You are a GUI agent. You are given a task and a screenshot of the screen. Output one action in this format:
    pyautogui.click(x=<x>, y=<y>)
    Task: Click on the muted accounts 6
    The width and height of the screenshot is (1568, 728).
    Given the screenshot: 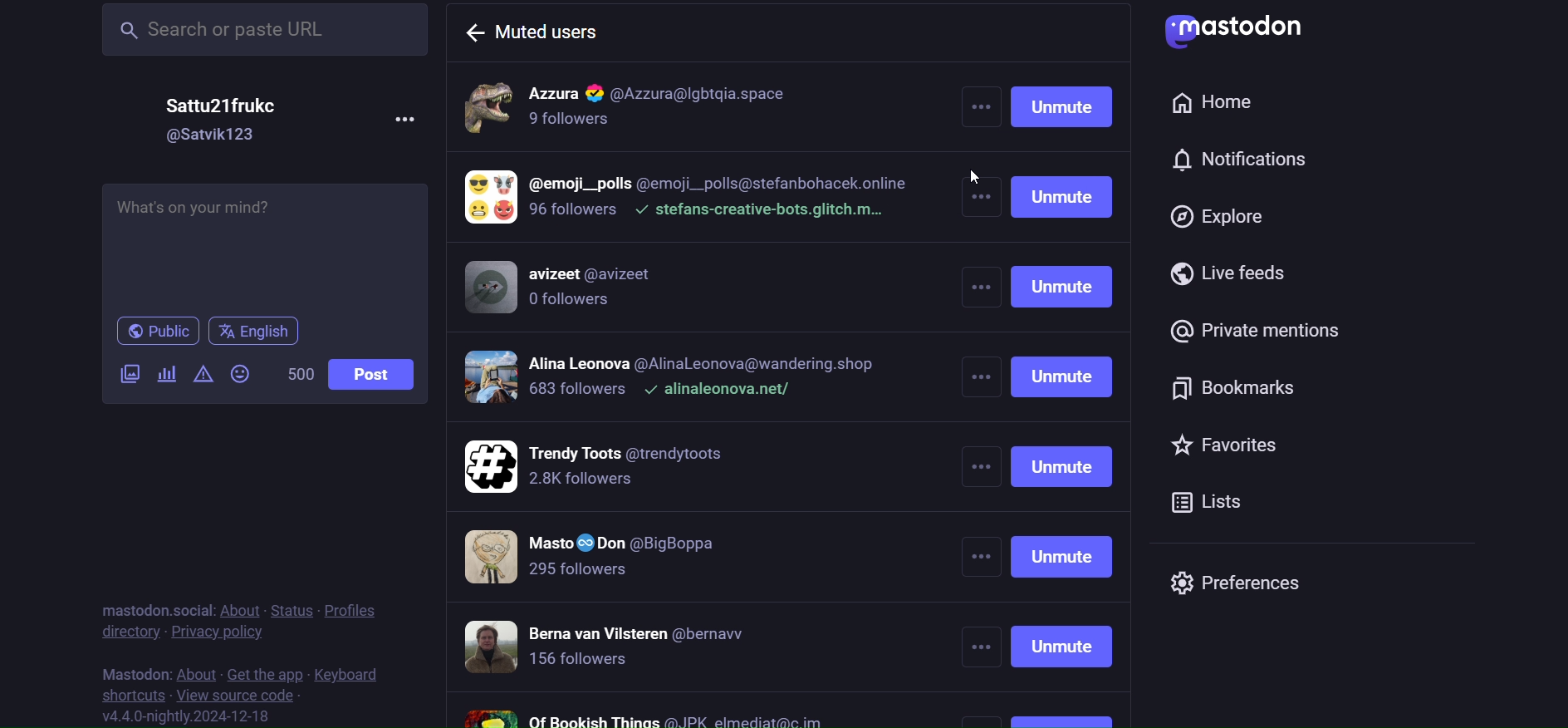 What is the action you would take?
    pyautogui.click(x=616, y=562)
    